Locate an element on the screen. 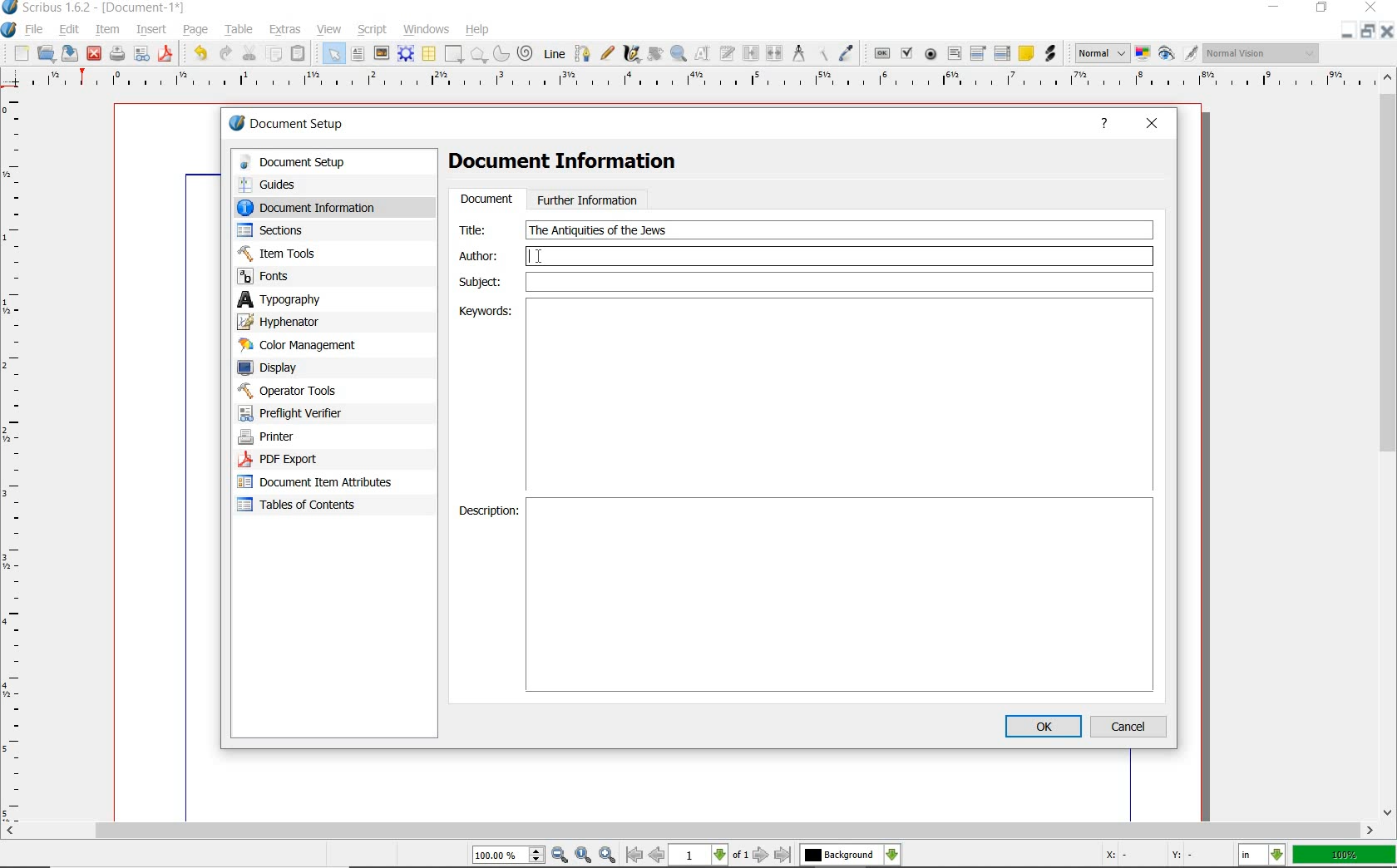 The height and width of the screenshot is (868, 1397). calligraphic line is located at coordinates (632, 55).